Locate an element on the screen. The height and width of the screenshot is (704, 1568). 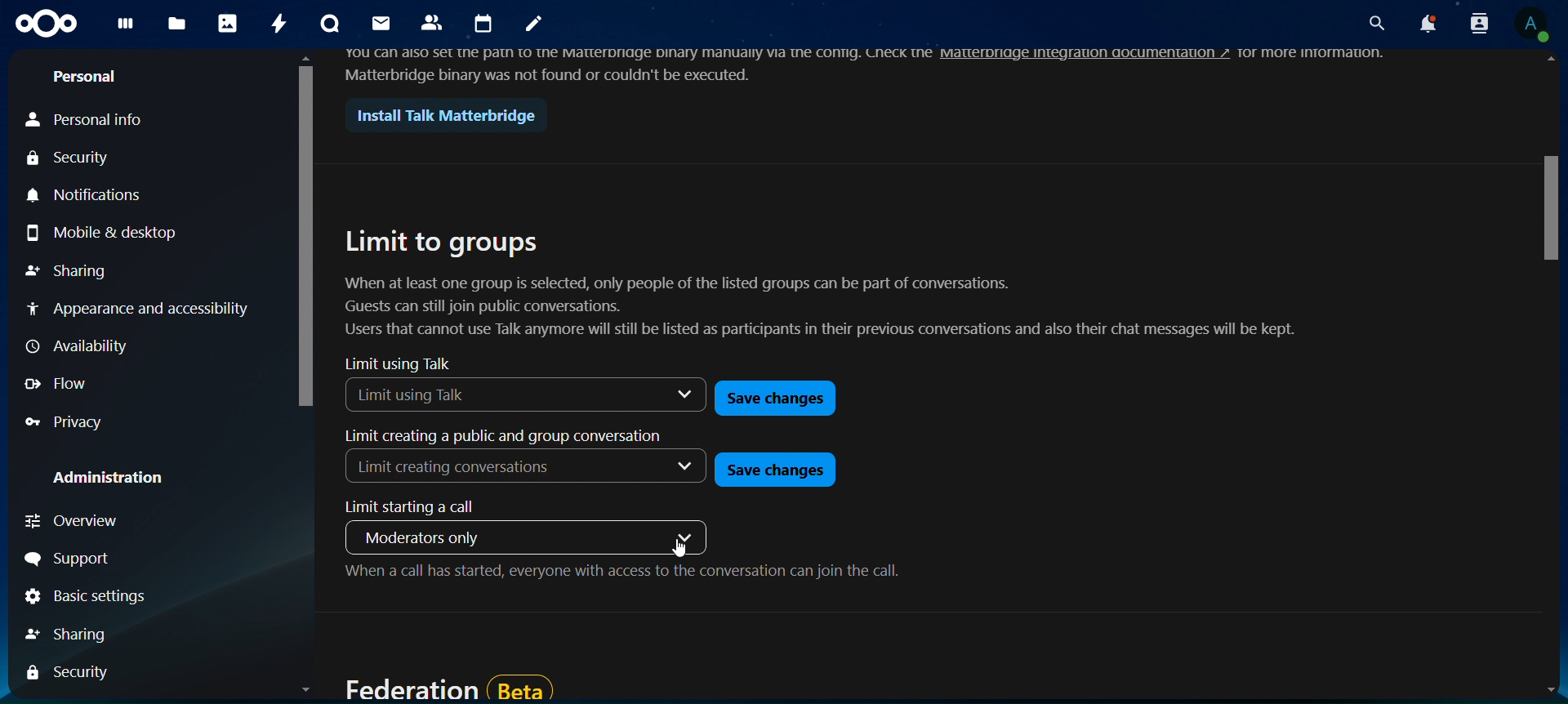
cursor is located at coordinates (681, 548).